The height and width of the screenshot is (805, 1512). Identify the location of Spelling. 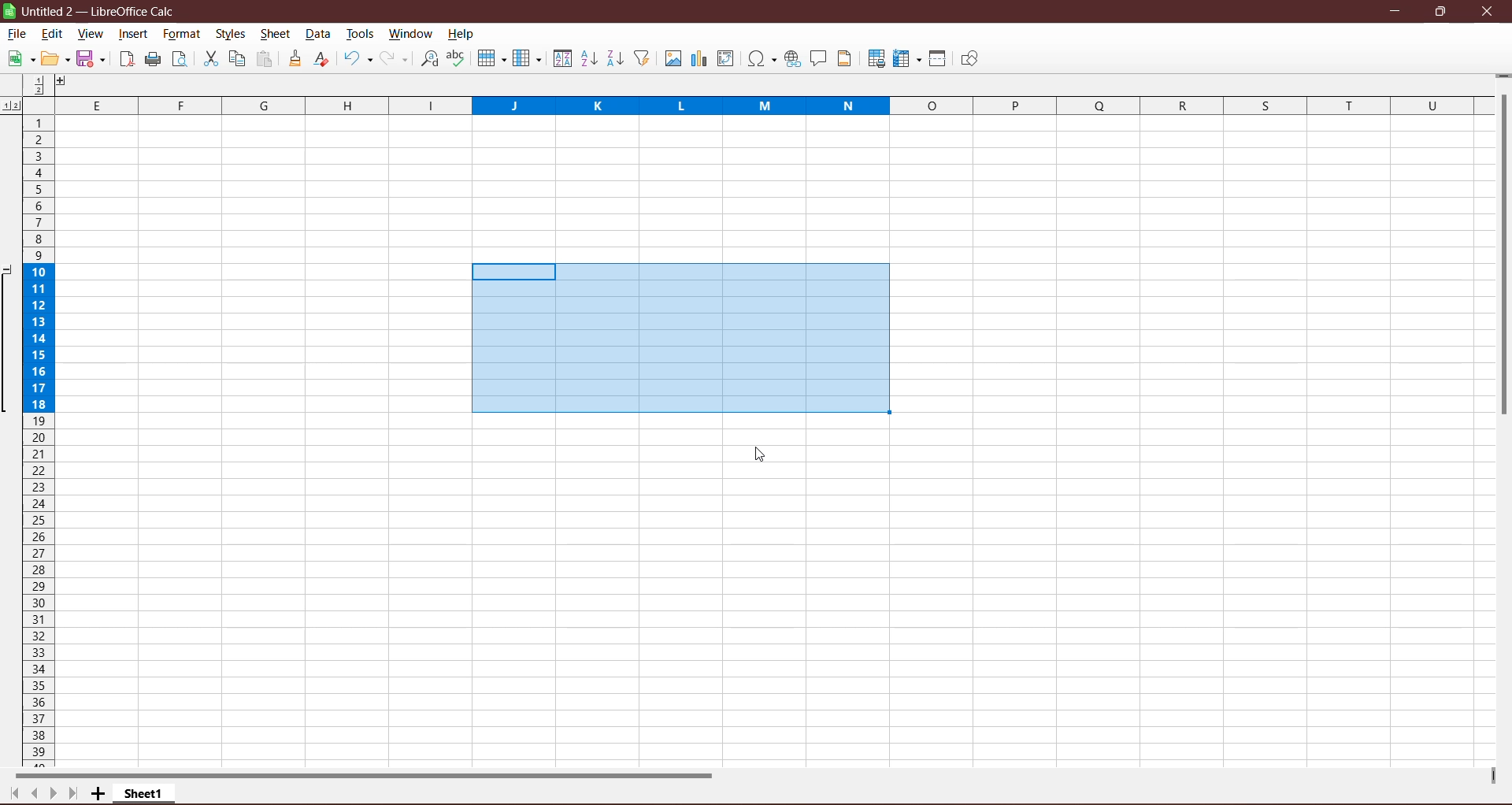
(458, 58).